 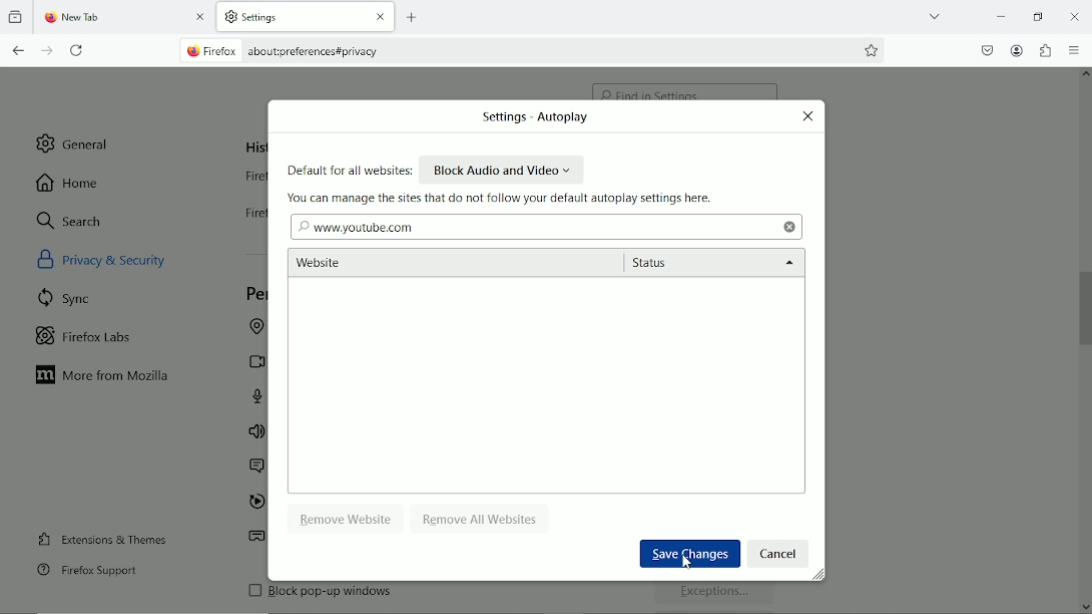 What do you see at coordinates (872, 50) in the screenshot?
I see `bookmark this page` at bounding box center [872, 50].